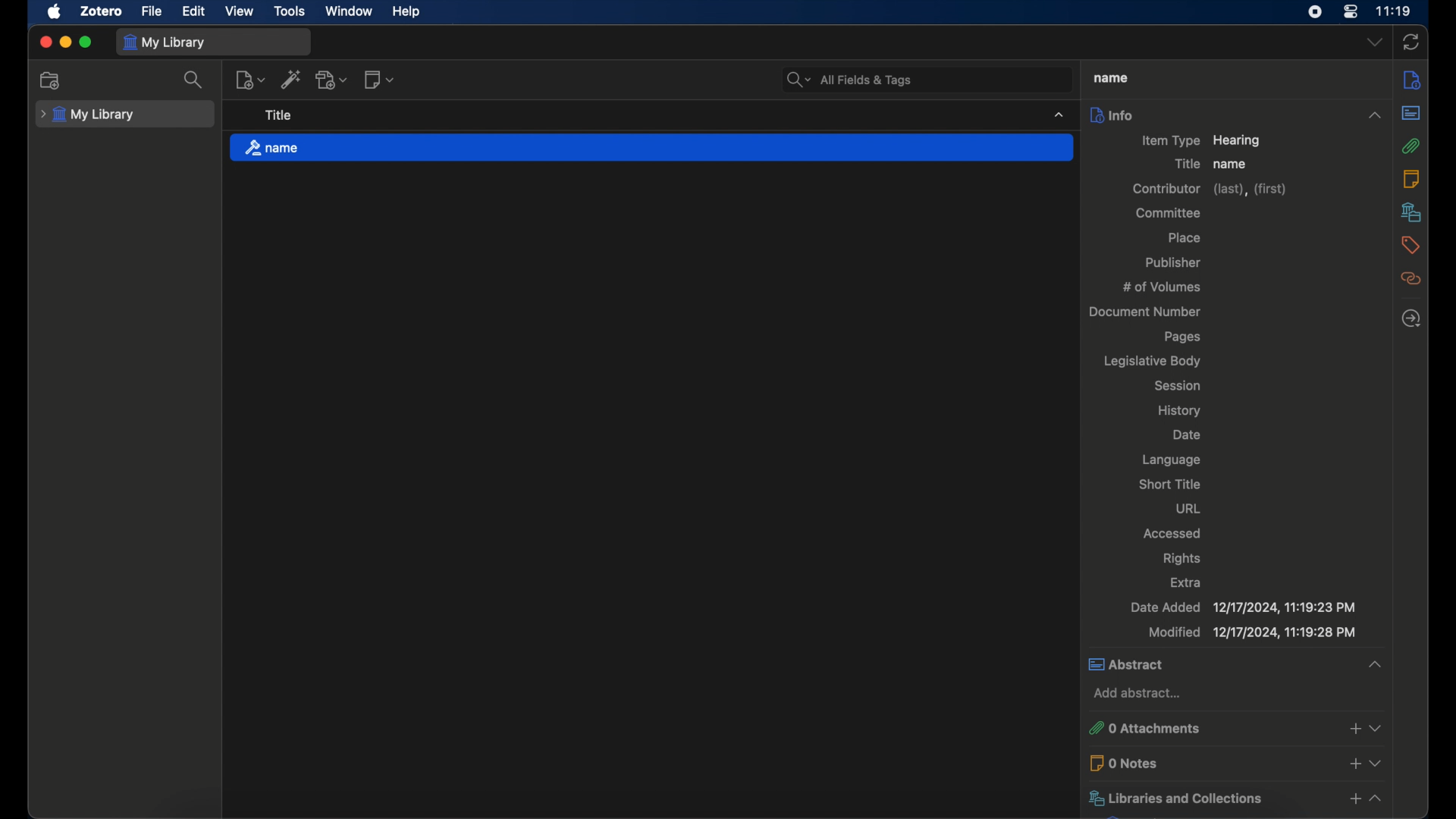 This screenshot has width=1456, height=819. What do you see at coordinates (1152, 360) in the screenshot?
I see `legislative body` at bounding box center [1152, 360].